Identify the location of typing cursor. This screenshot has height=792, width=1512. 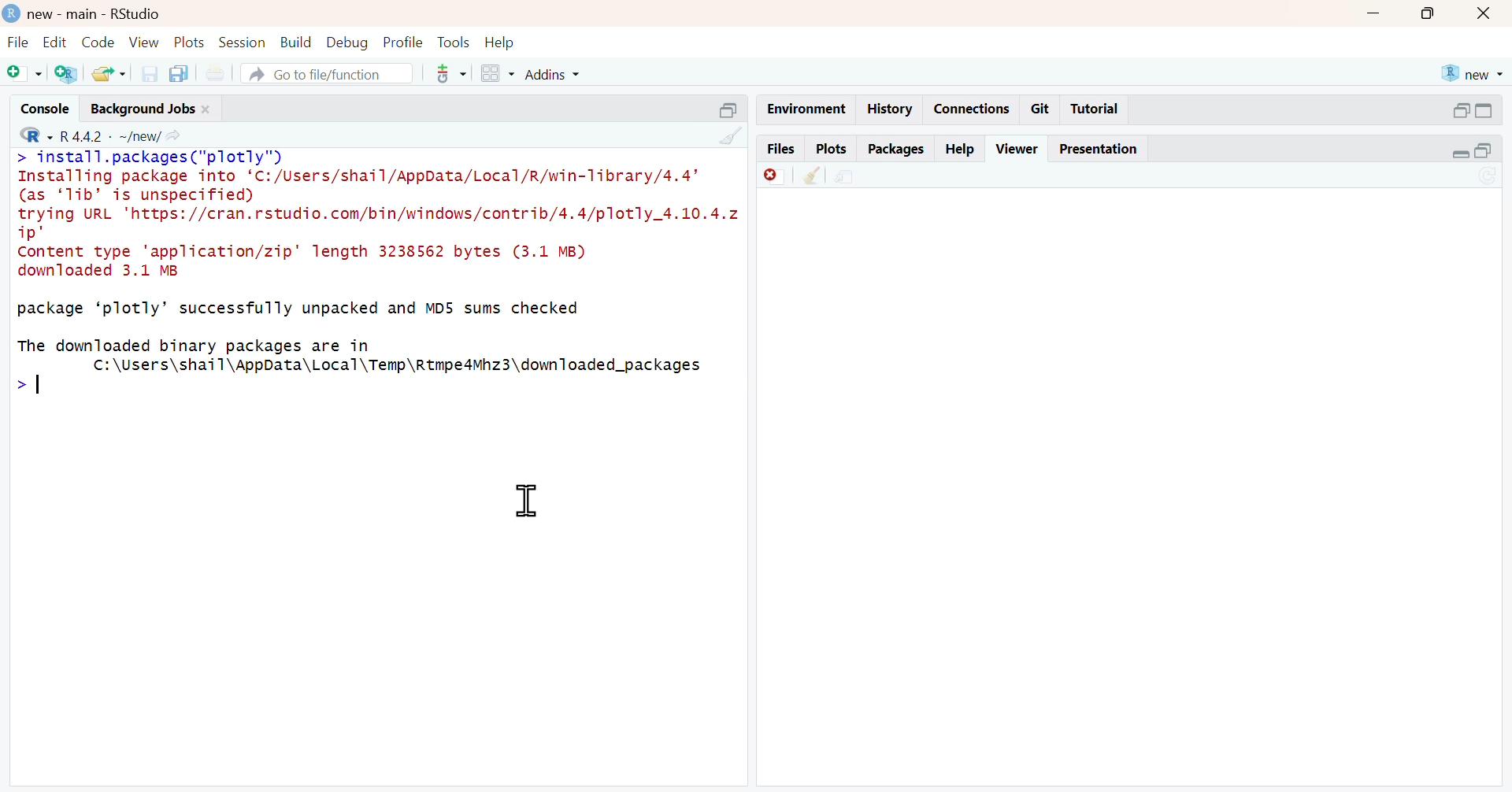
(47, 390).